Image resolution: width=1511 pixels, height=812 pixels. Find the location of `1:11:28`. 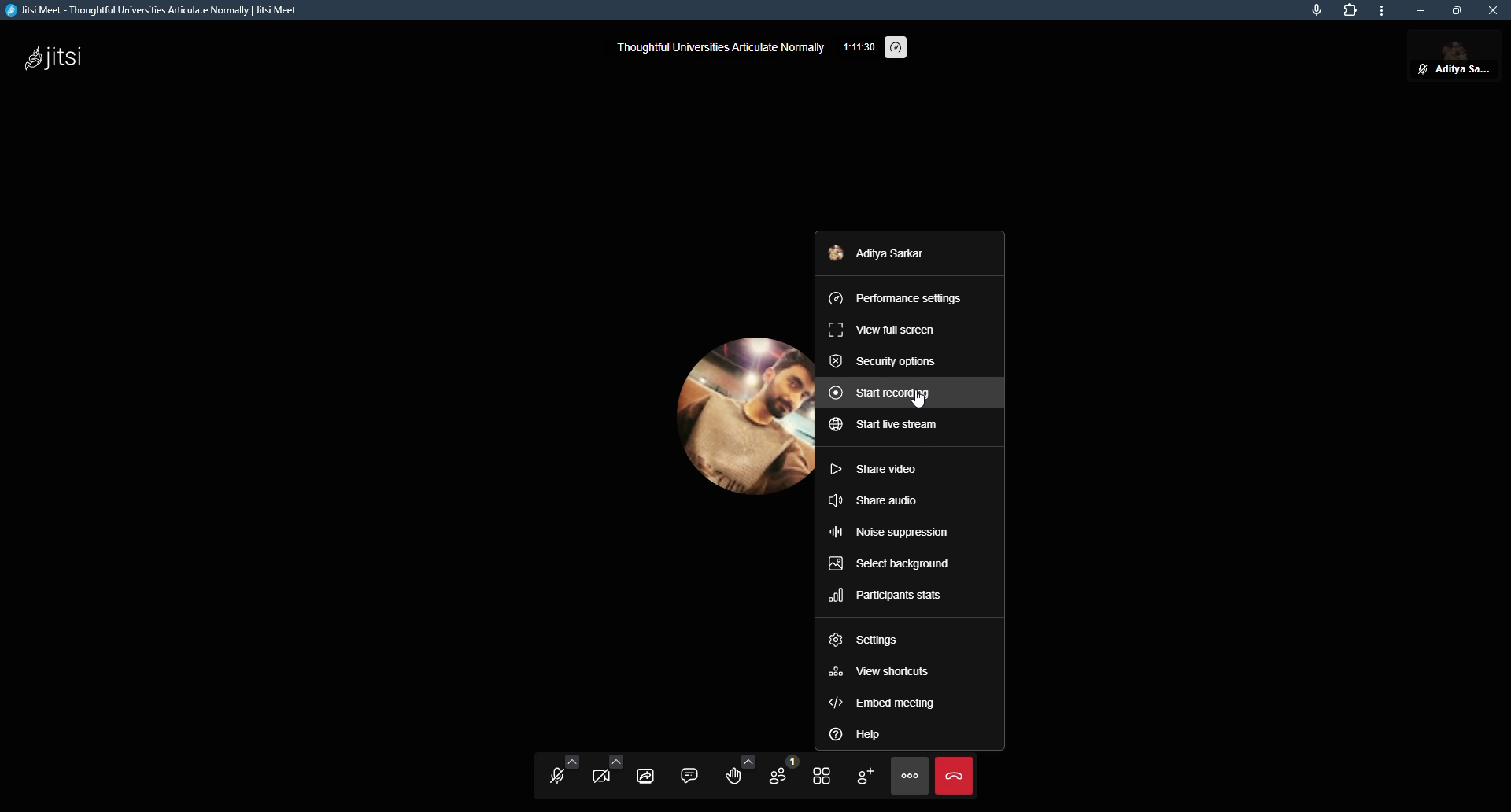

1:11:28 is located at coordinates (859, 45).